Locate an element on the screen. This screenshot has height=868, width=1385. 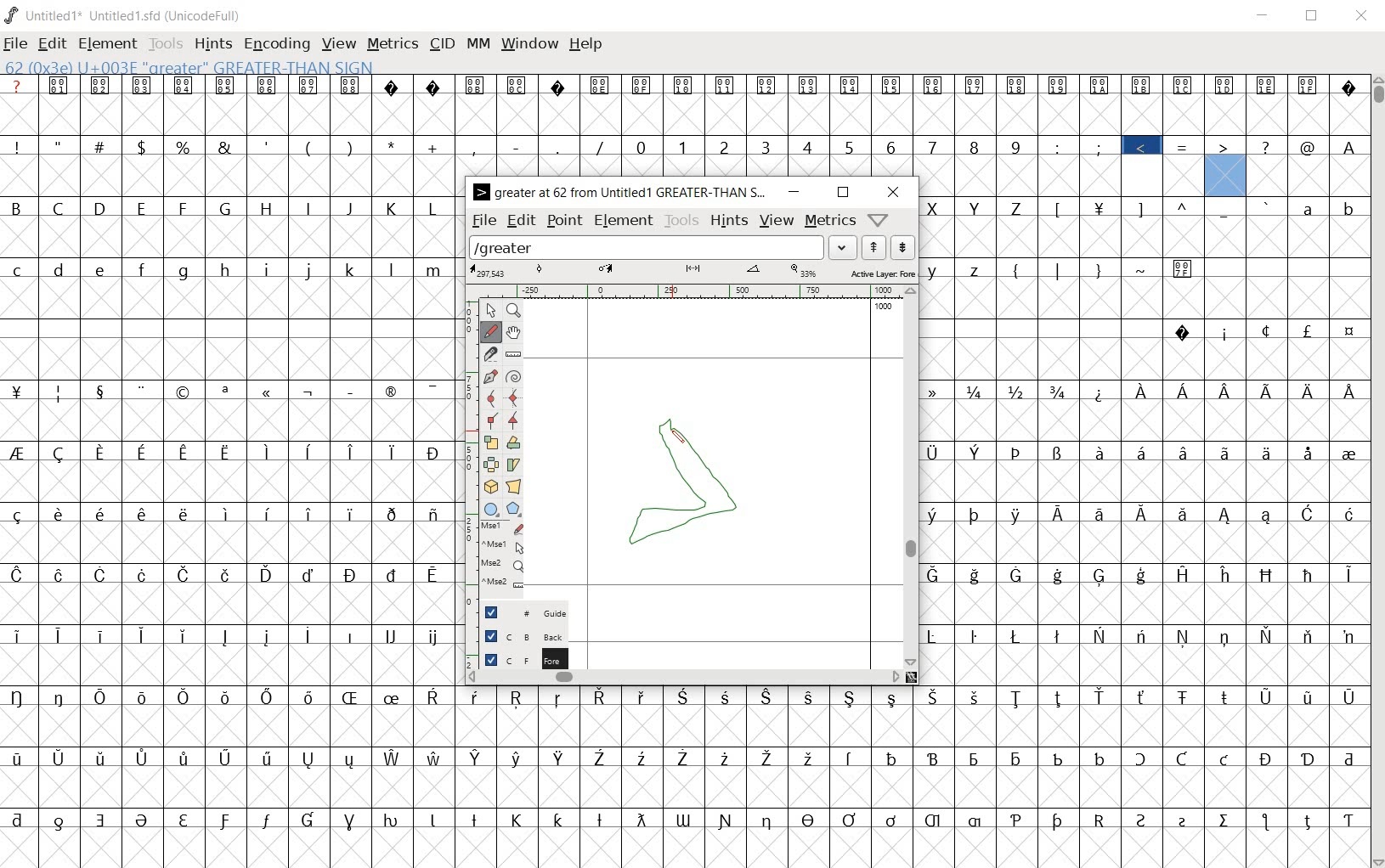
pen tool/CURSOR LOCATION is located at coordinates (676, 436).